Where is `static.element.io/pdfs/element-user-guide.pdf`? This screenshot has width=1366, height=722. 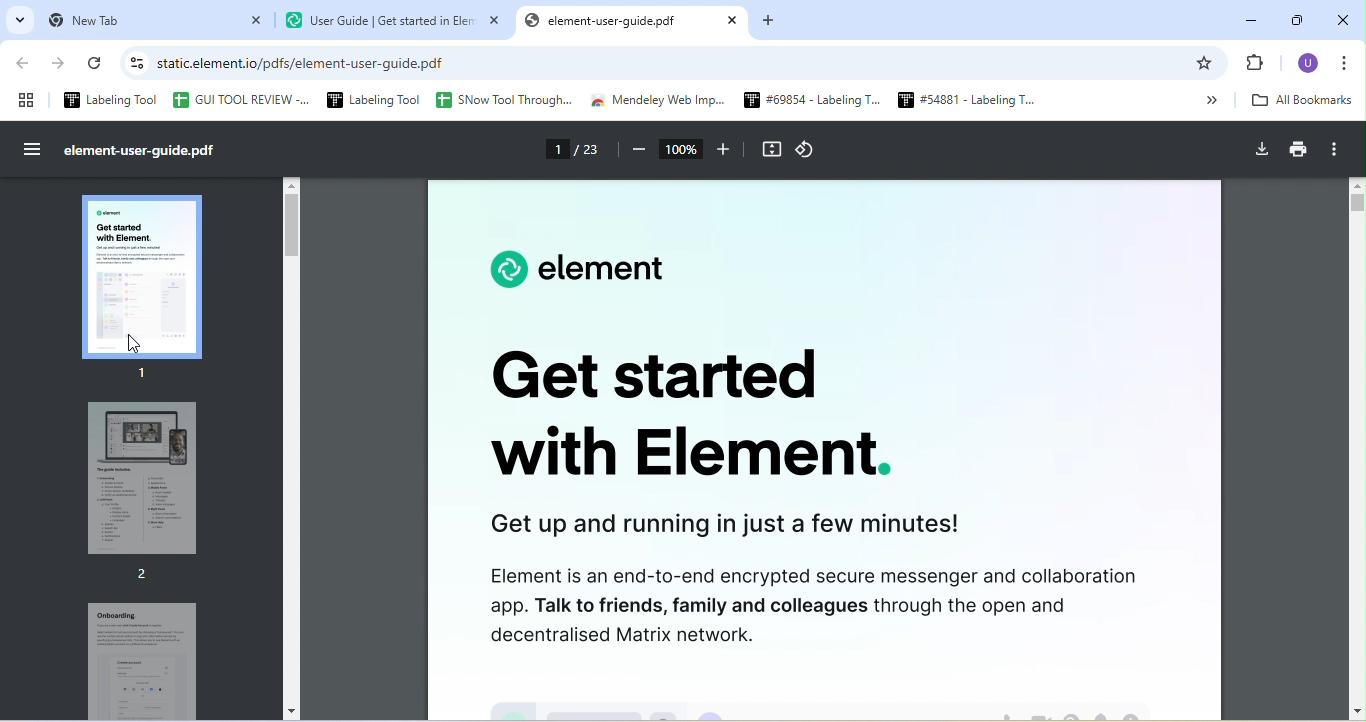
static.element.io/pdfs/element-user-guide.pdf is located at coordinates (315, 64).